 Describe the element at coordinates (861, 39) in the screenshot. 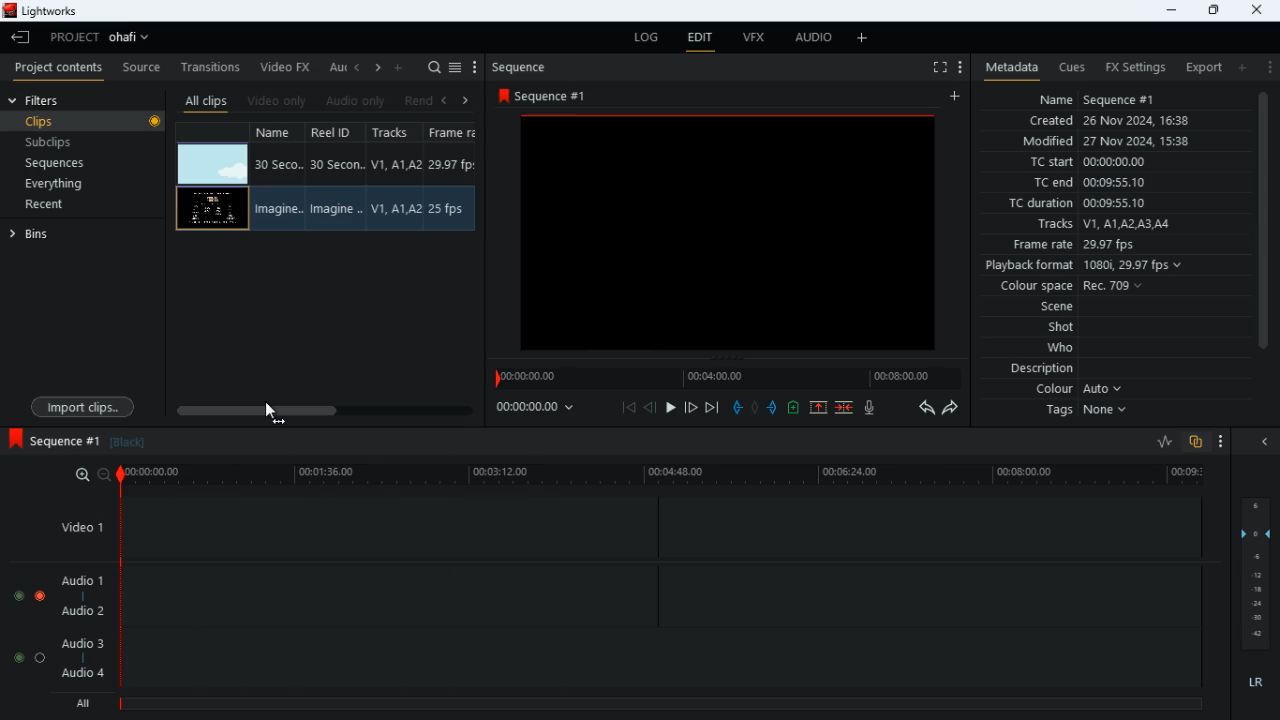

I see `more` at that location.